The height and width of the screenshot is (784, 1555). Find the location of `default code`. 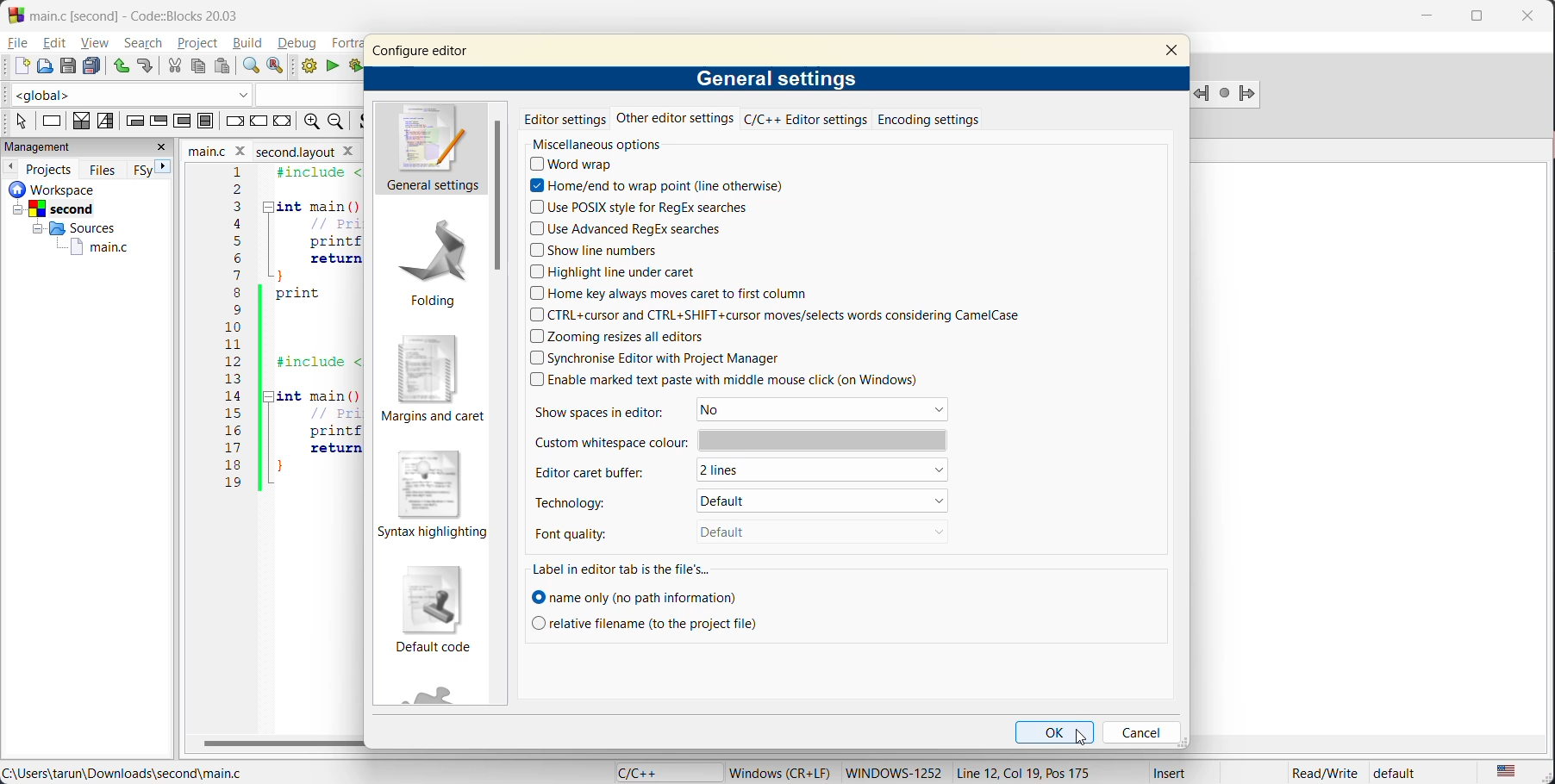

default code is located at coordinates (435, 610).